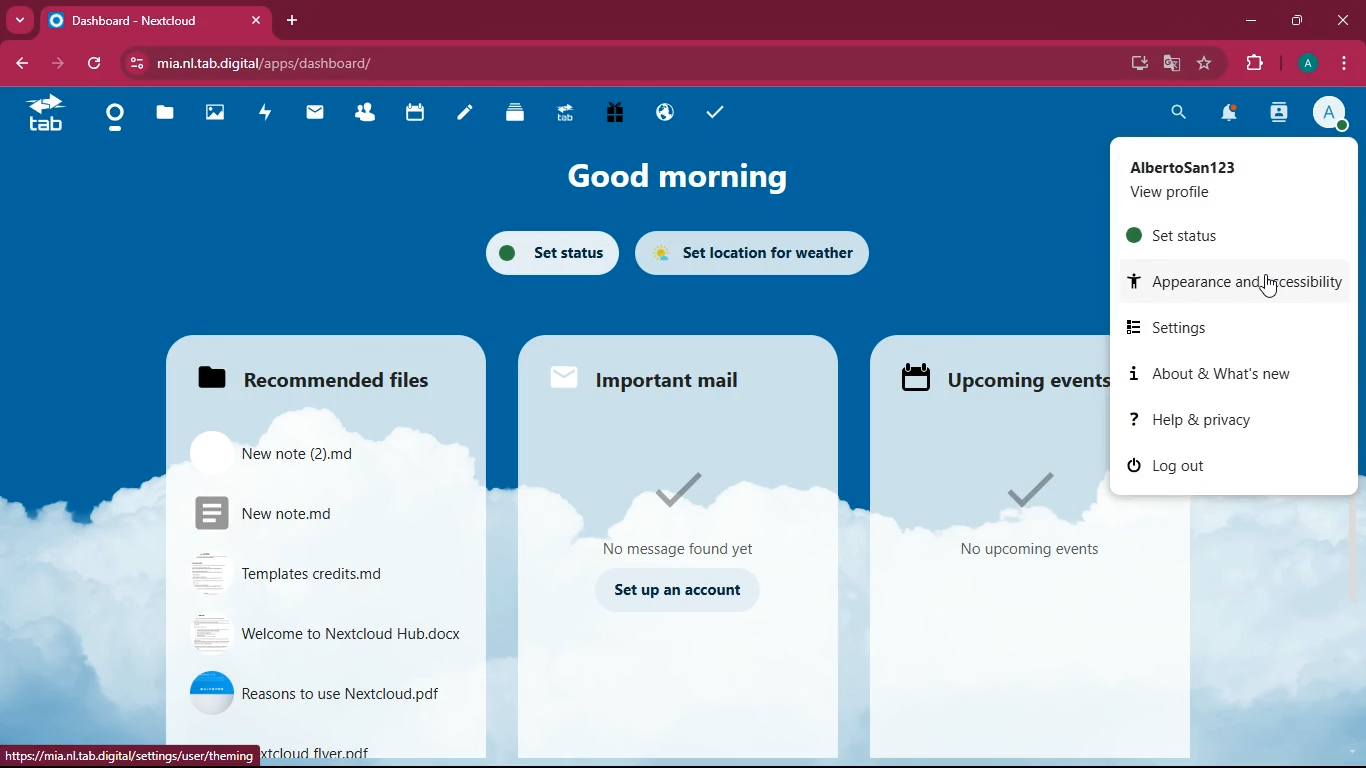  What do you see at coordinates (683, 591) in the screenshot?
I see `set up an account` at bounding box center [683, 591].